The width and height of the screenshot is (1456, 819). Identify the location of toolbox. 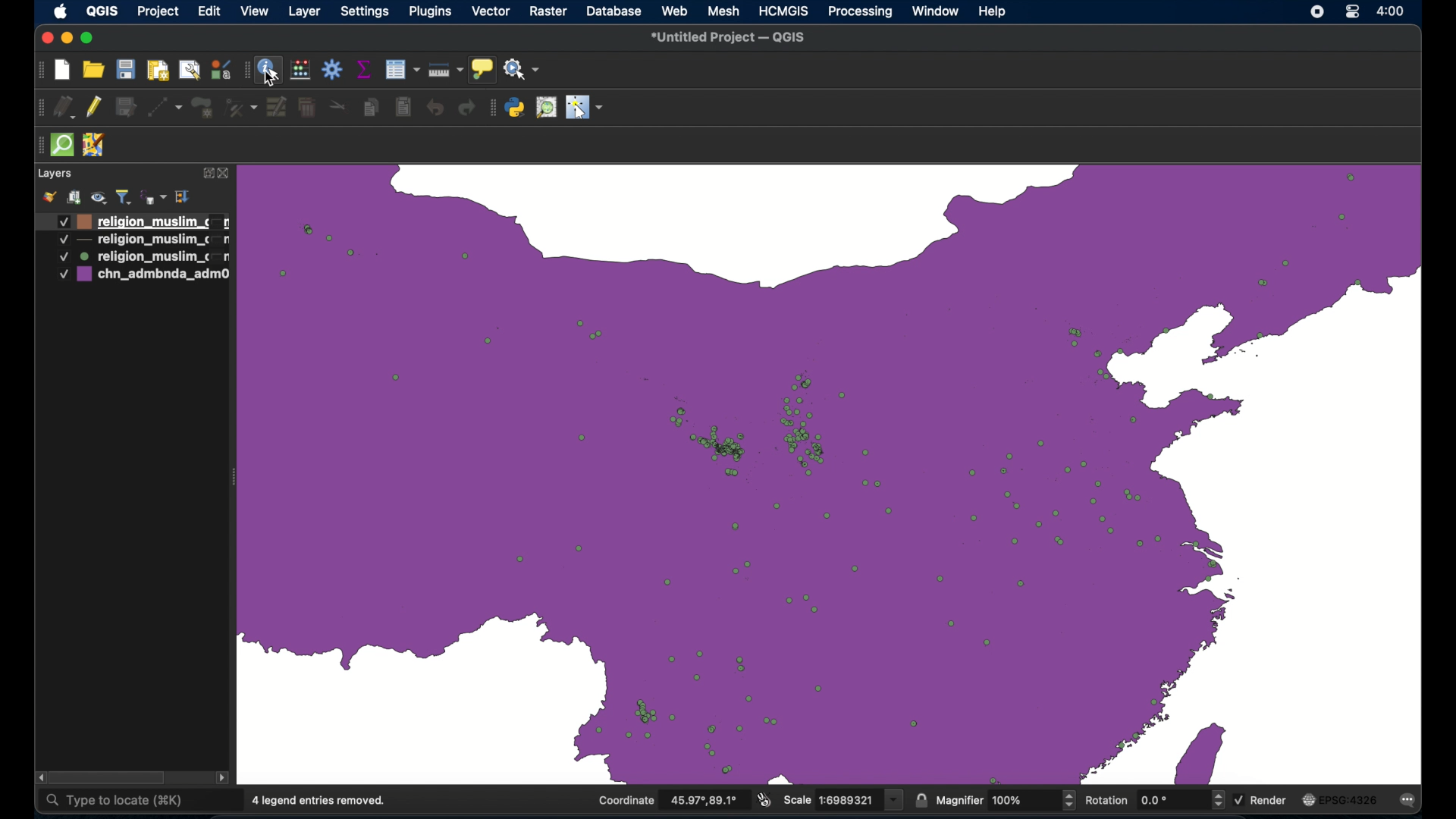
(334, 71).